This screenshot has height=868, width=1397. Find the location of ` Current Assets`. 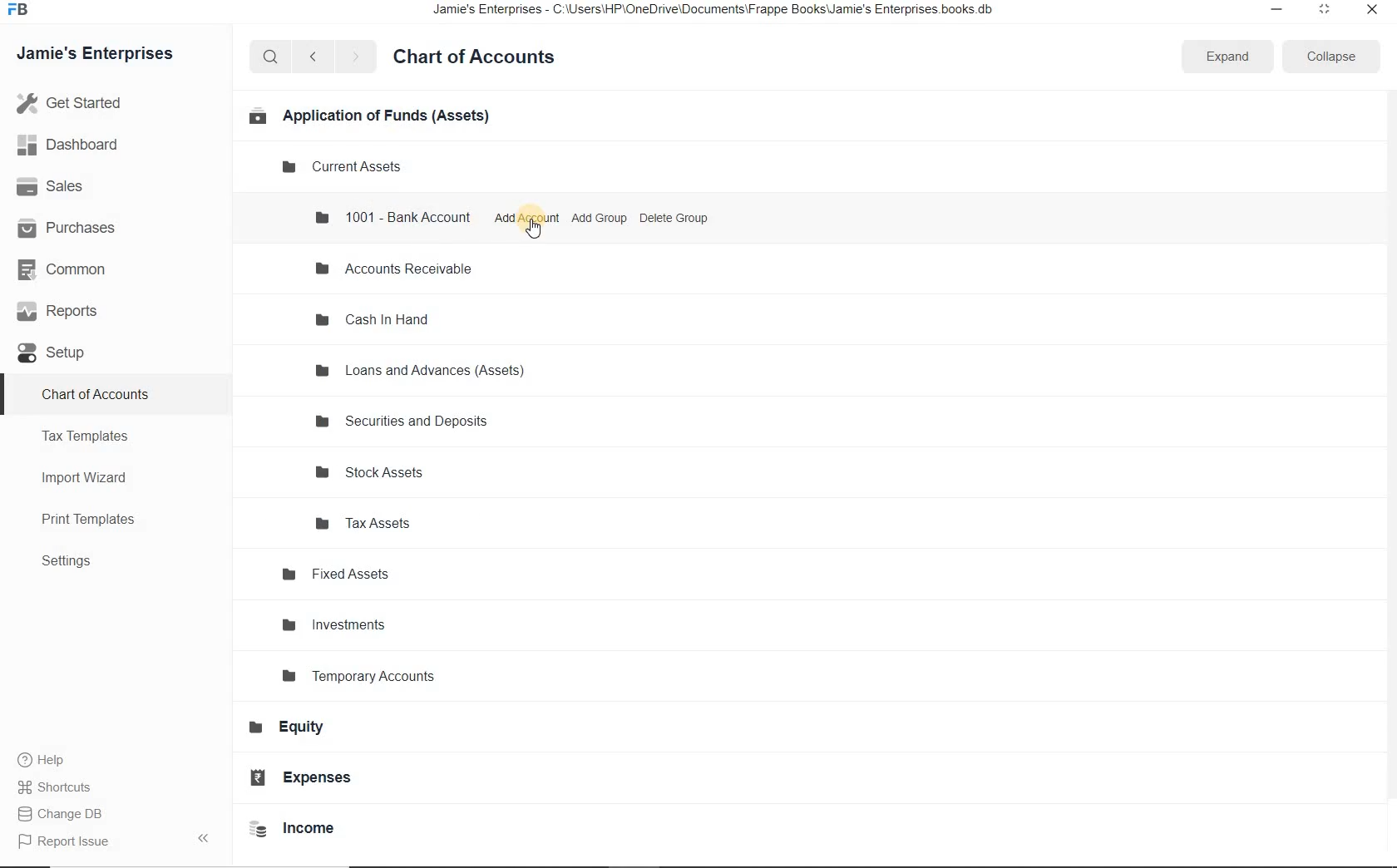

 Current Assets is located at coordinates (345, 167).